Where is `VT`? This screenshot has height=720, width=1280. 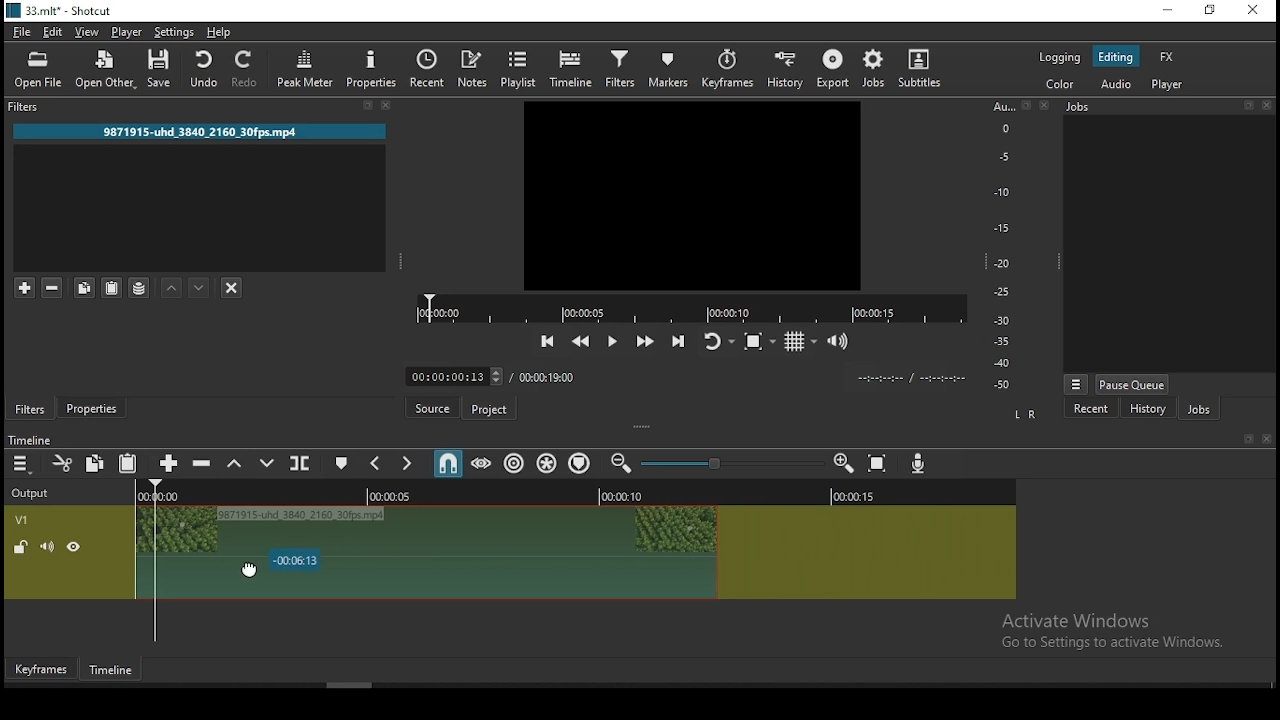 VT is located at coordinates (39, 517).